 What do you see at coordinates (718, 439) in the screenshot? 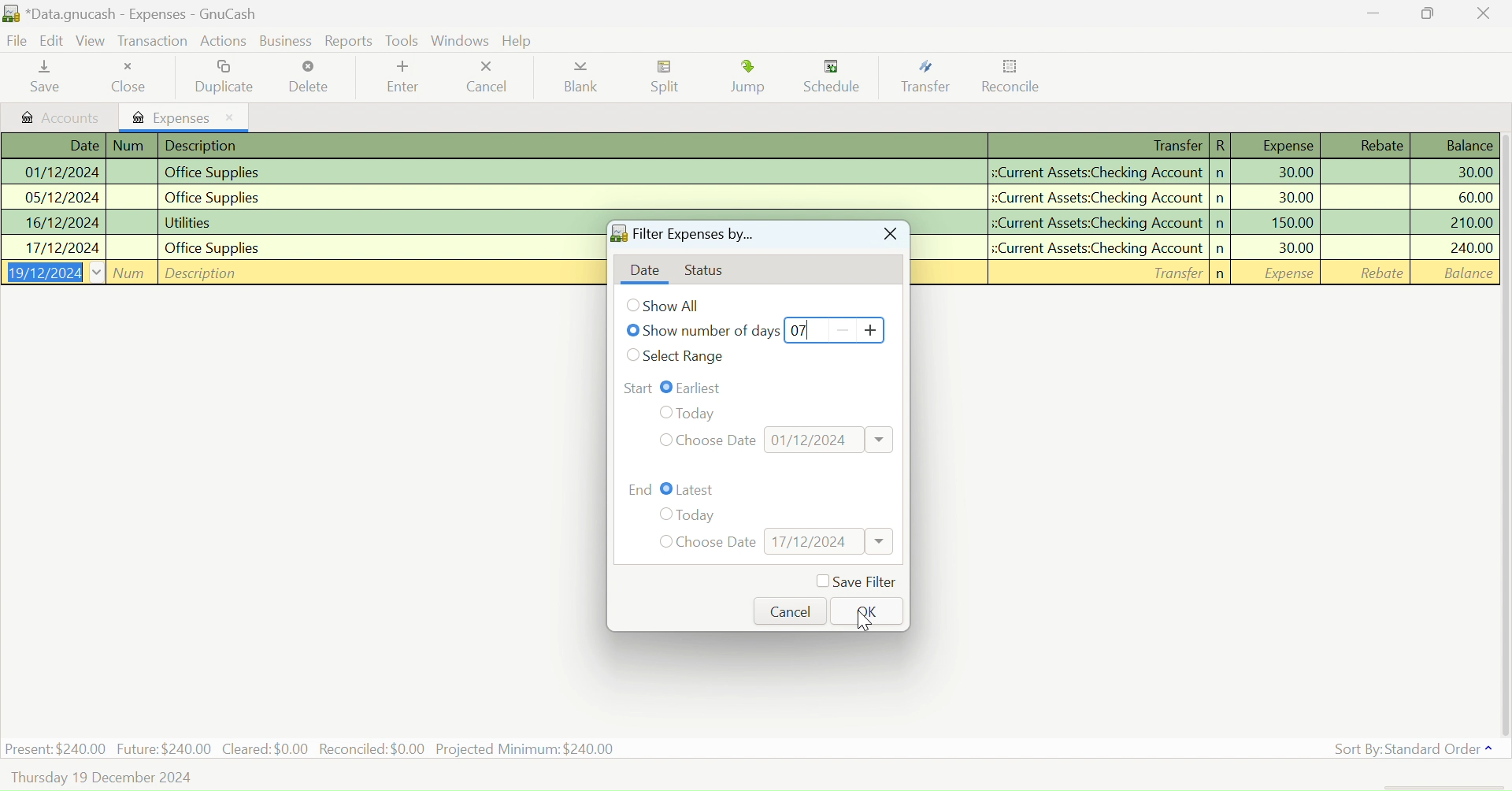
I see `Choose Date` at bounding box center [718, 439].